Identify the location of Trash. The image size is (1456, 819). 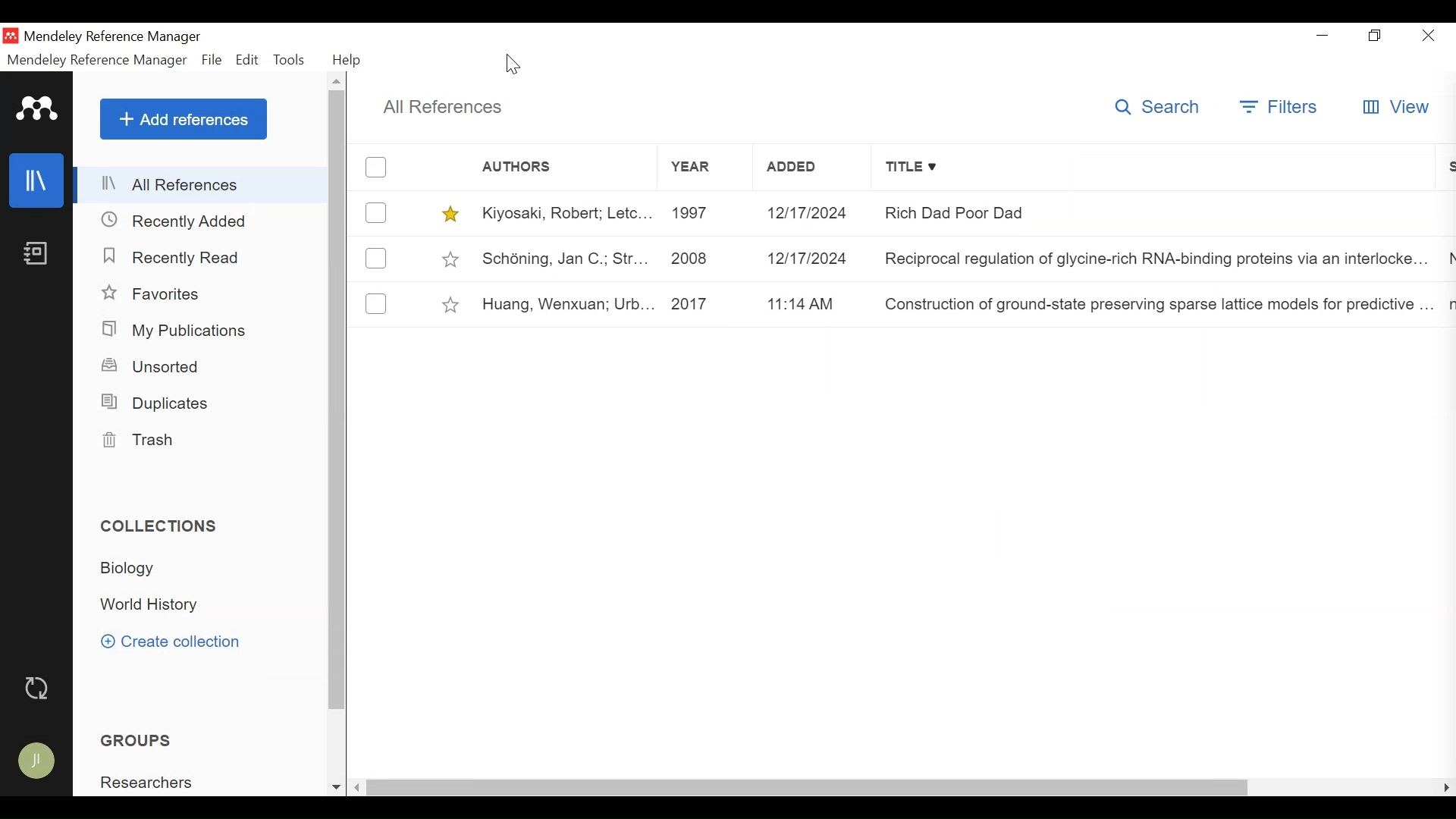
(148, 441).